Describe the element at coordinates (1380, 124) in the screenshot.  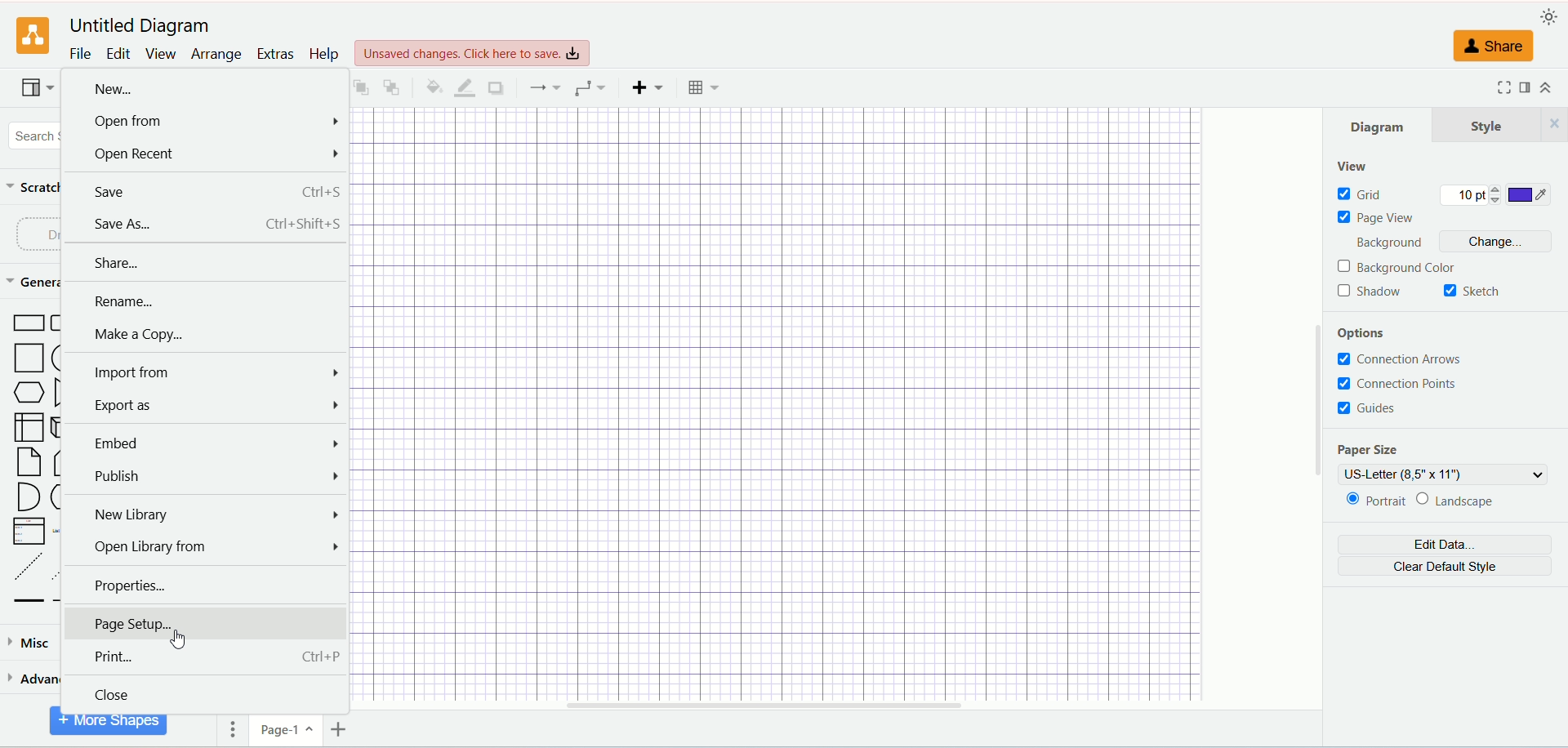
I see `diagram` at that location.